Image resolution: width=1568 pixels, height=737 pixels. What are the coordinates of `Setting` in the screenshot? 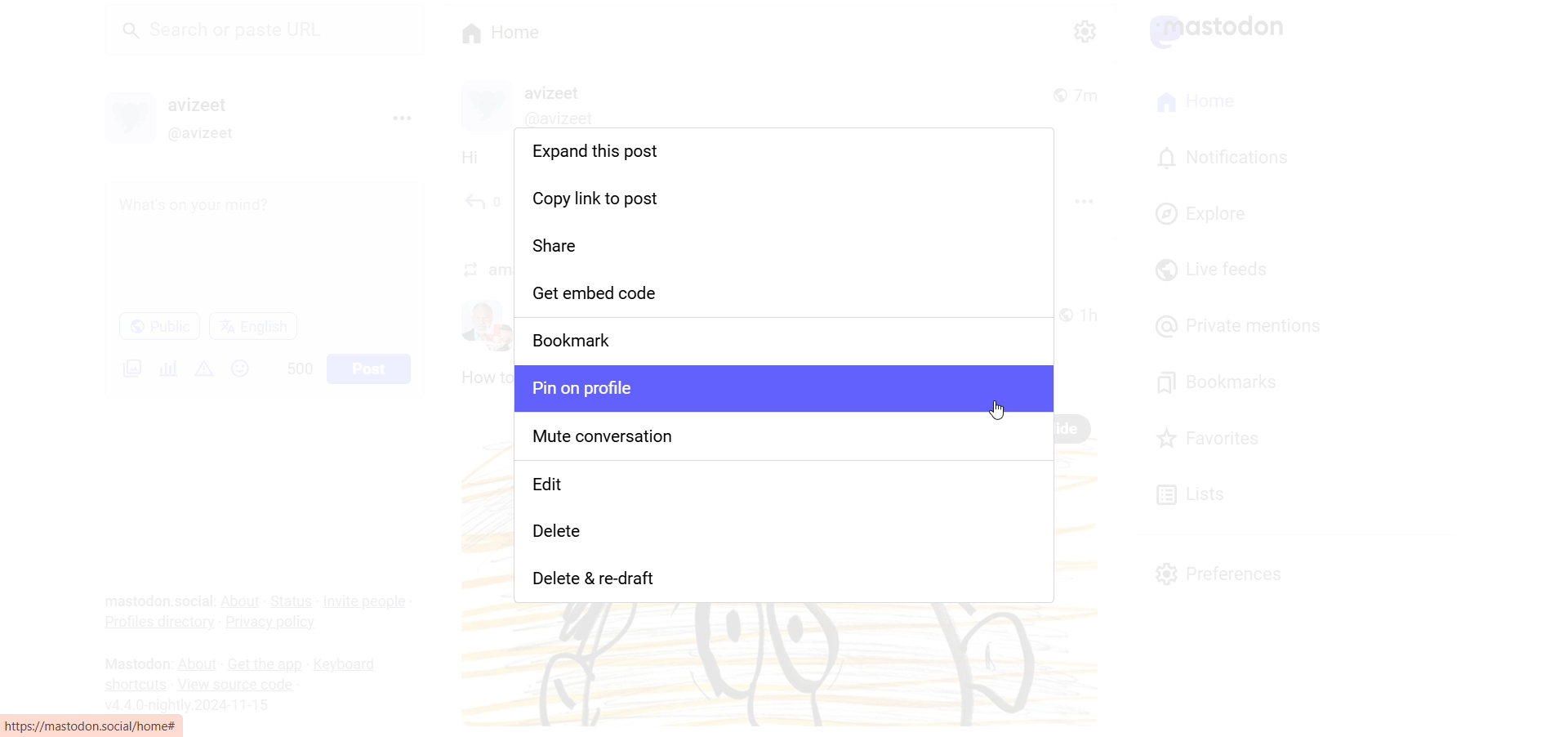 It's located at (1082, 30).